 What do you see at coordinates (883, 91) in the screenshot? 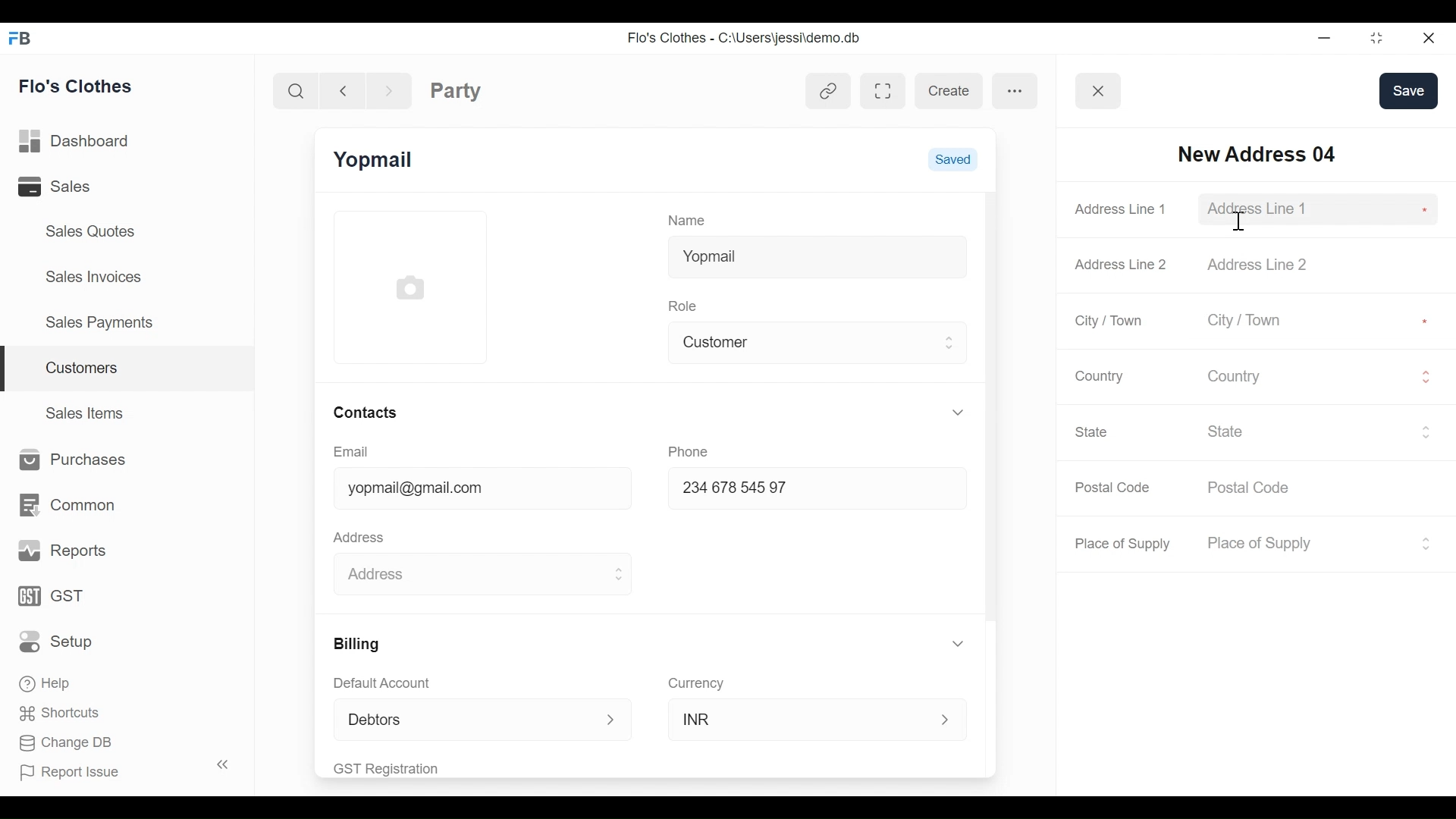
I see `Toggle between form and full width view` at bounding box center [883, 91].